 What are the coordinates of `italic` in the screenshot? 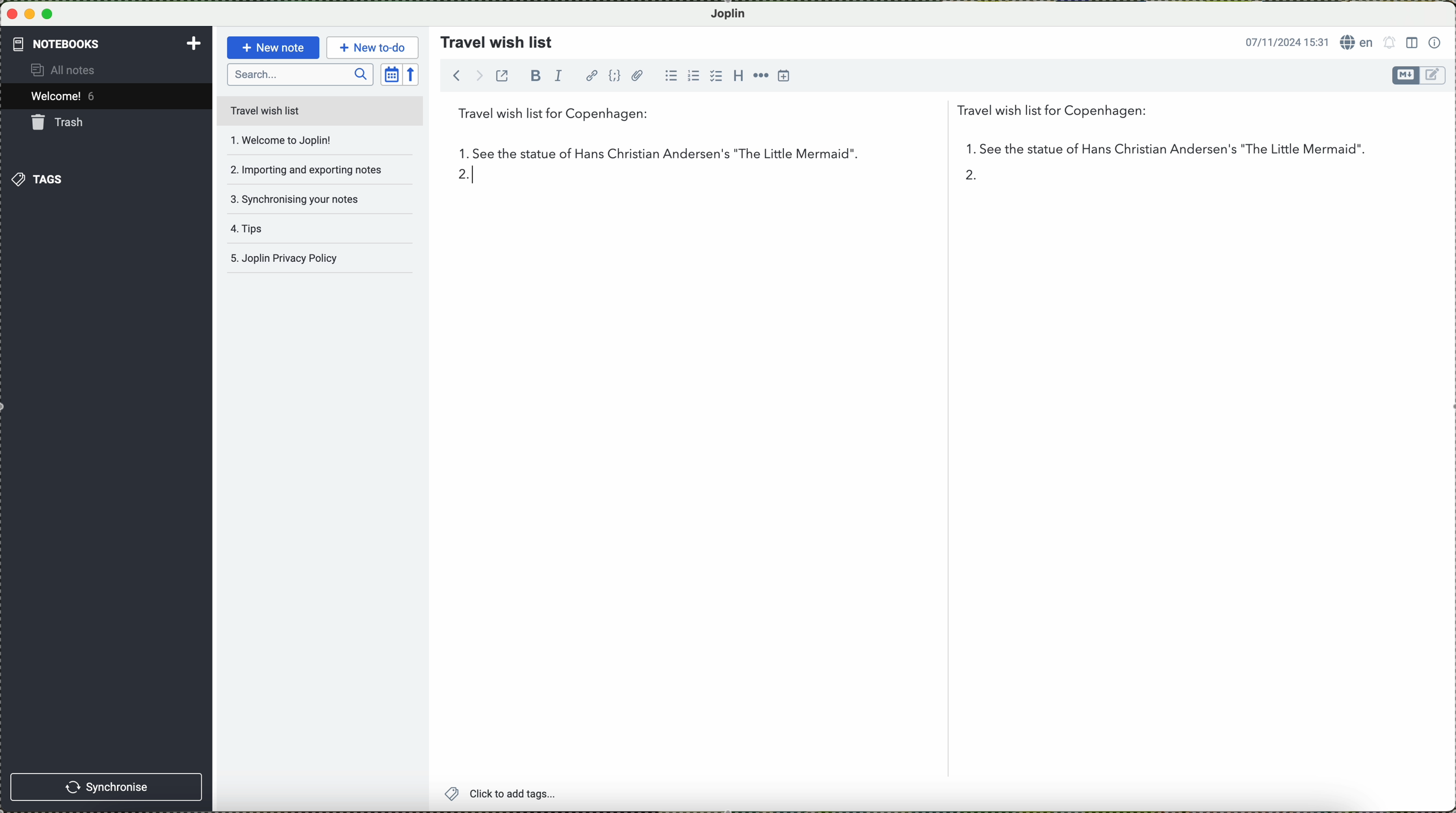 It's located at (562, 77).